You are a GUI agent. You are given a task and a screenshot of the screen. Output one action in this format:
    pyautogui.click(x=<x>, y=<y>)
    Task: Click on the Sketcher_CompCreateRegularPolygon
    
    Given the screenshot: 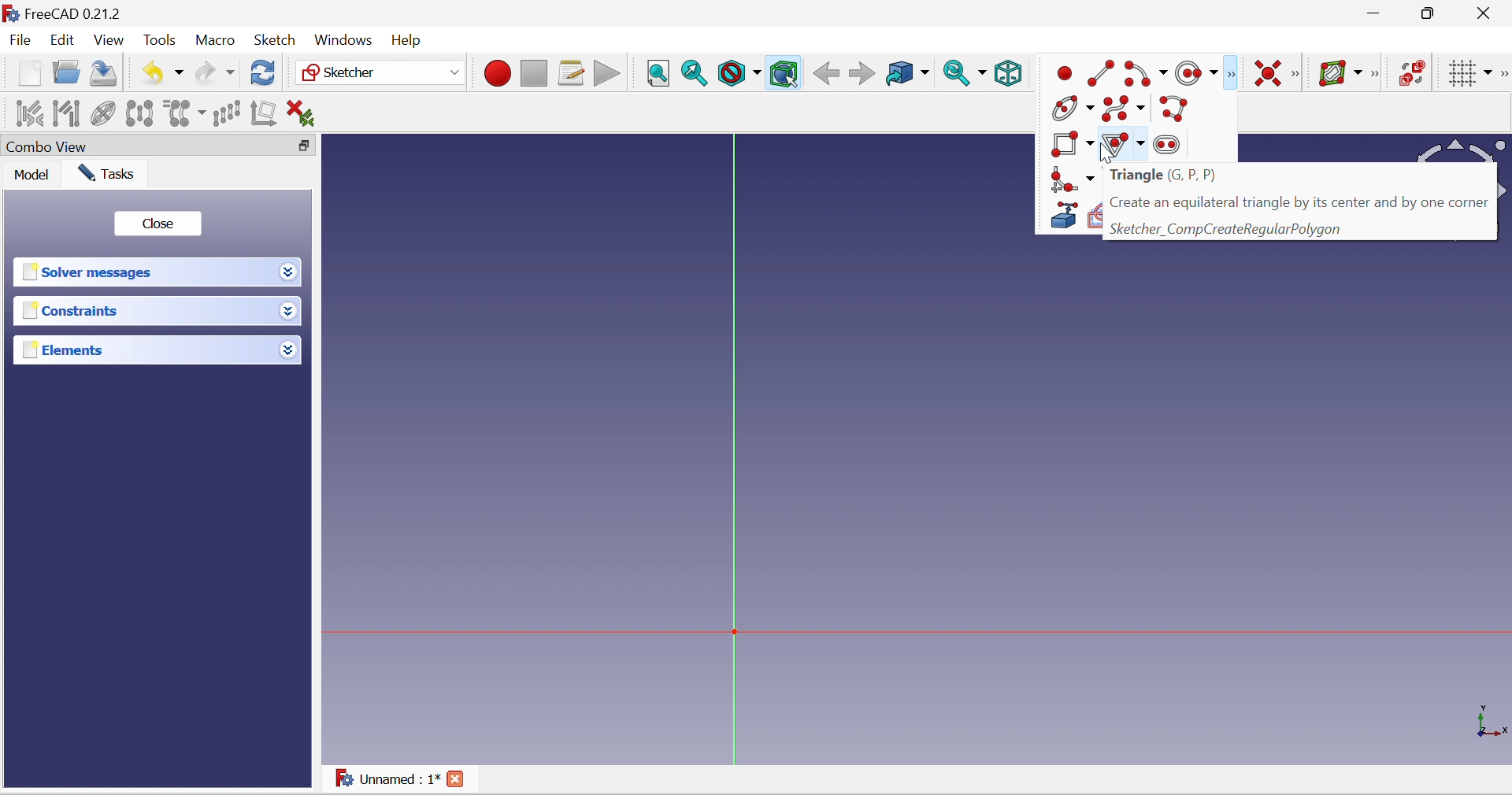 What is the action you would take?
    pyautogui.click(x=1299, y=230)
    